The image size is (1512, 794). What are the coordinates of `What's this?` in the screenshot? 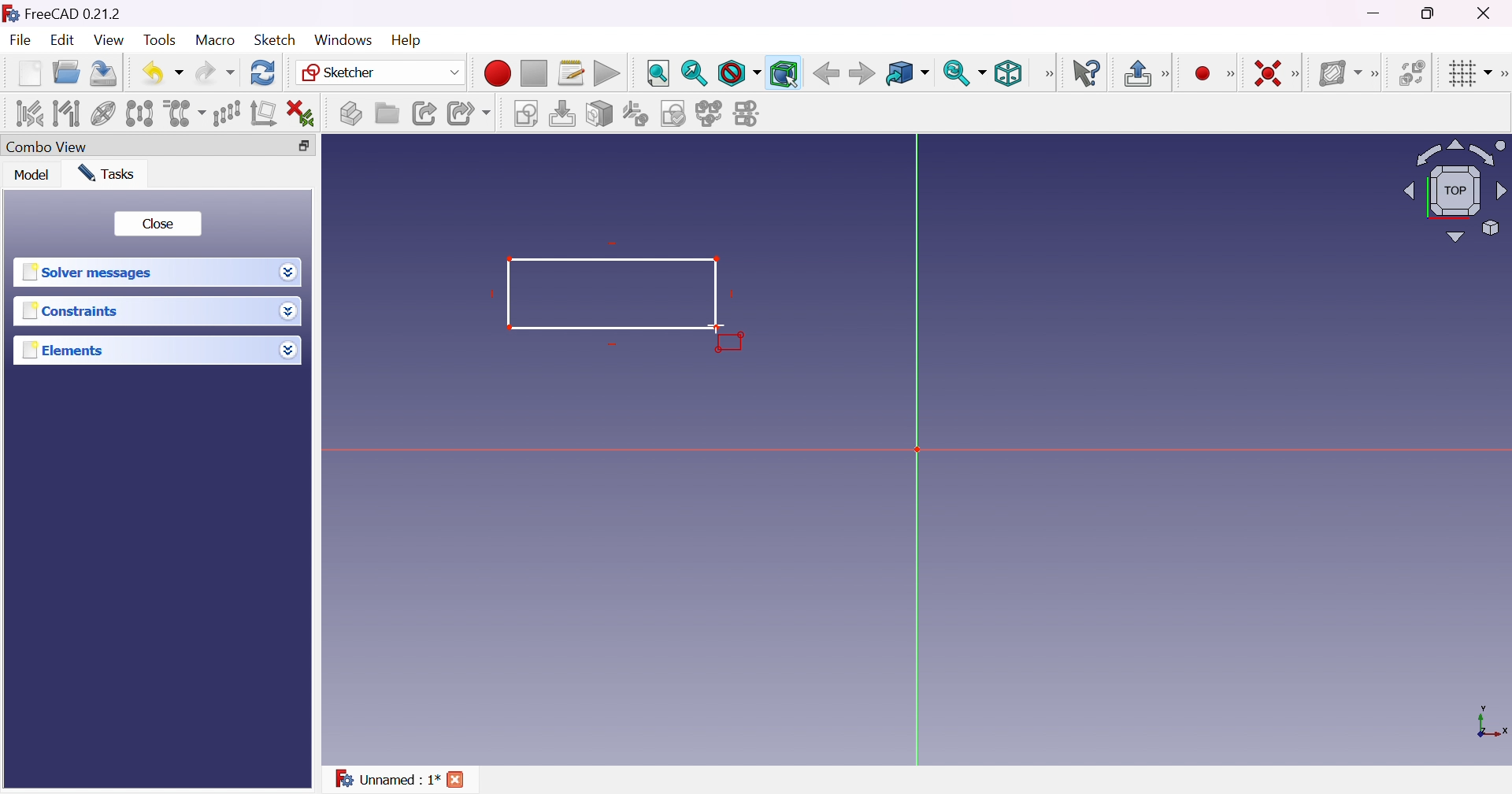 It's located at (1084, 74).